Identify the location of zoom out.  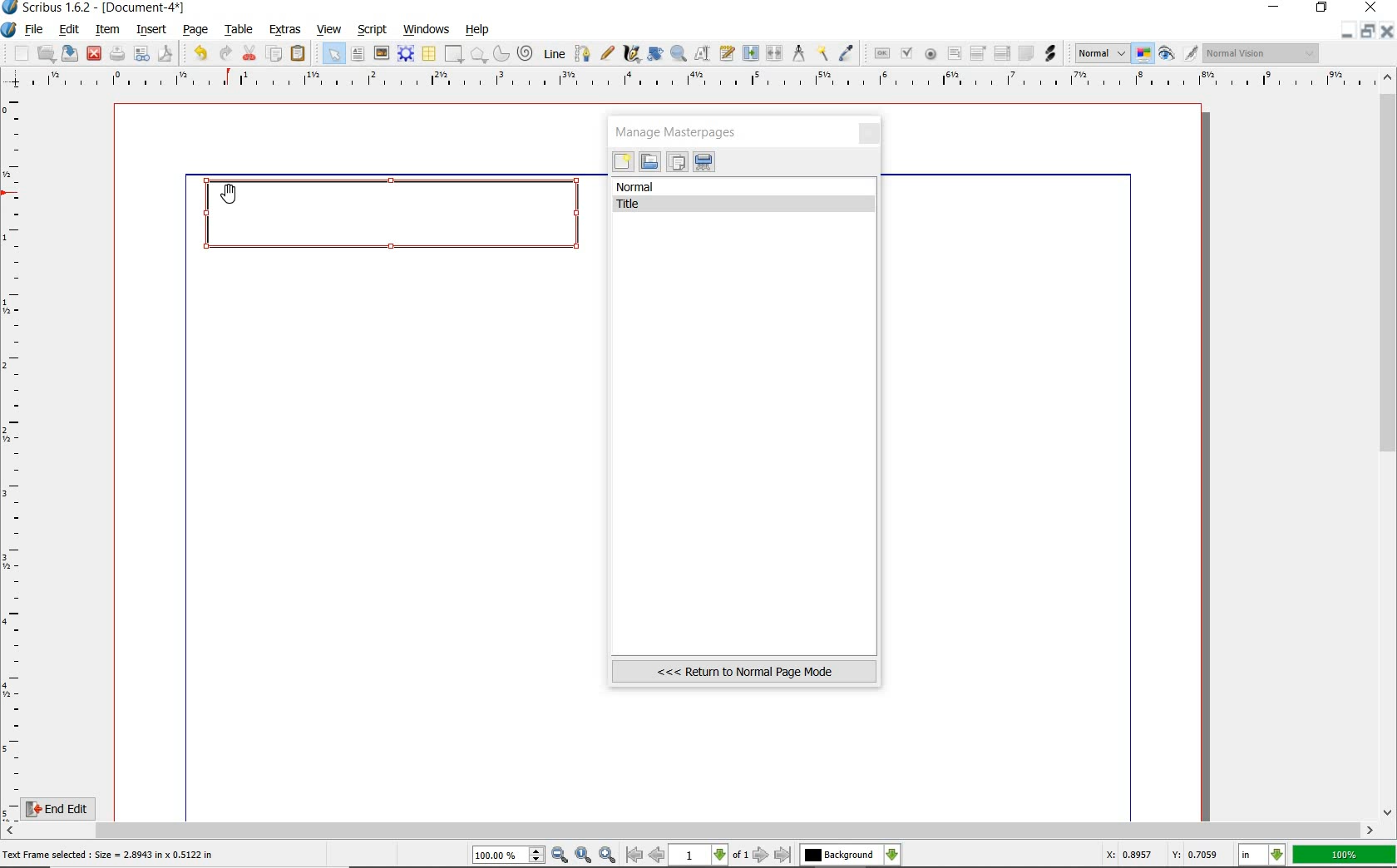
(560, 856).